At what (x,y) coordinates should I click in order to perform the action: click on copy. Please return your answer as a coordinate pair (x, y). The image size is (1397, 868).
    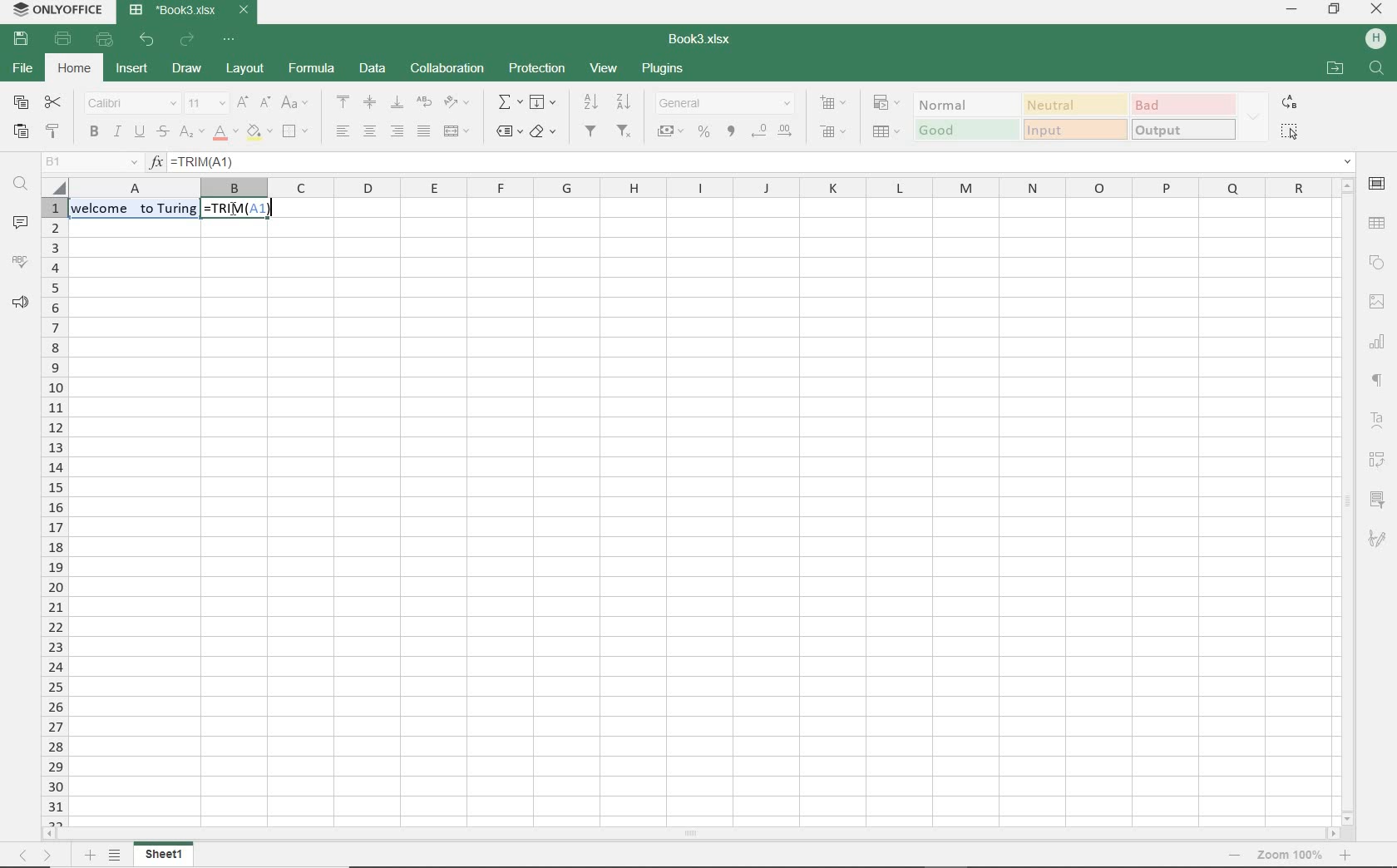
    Looking at the image, I should click on (21, 102).